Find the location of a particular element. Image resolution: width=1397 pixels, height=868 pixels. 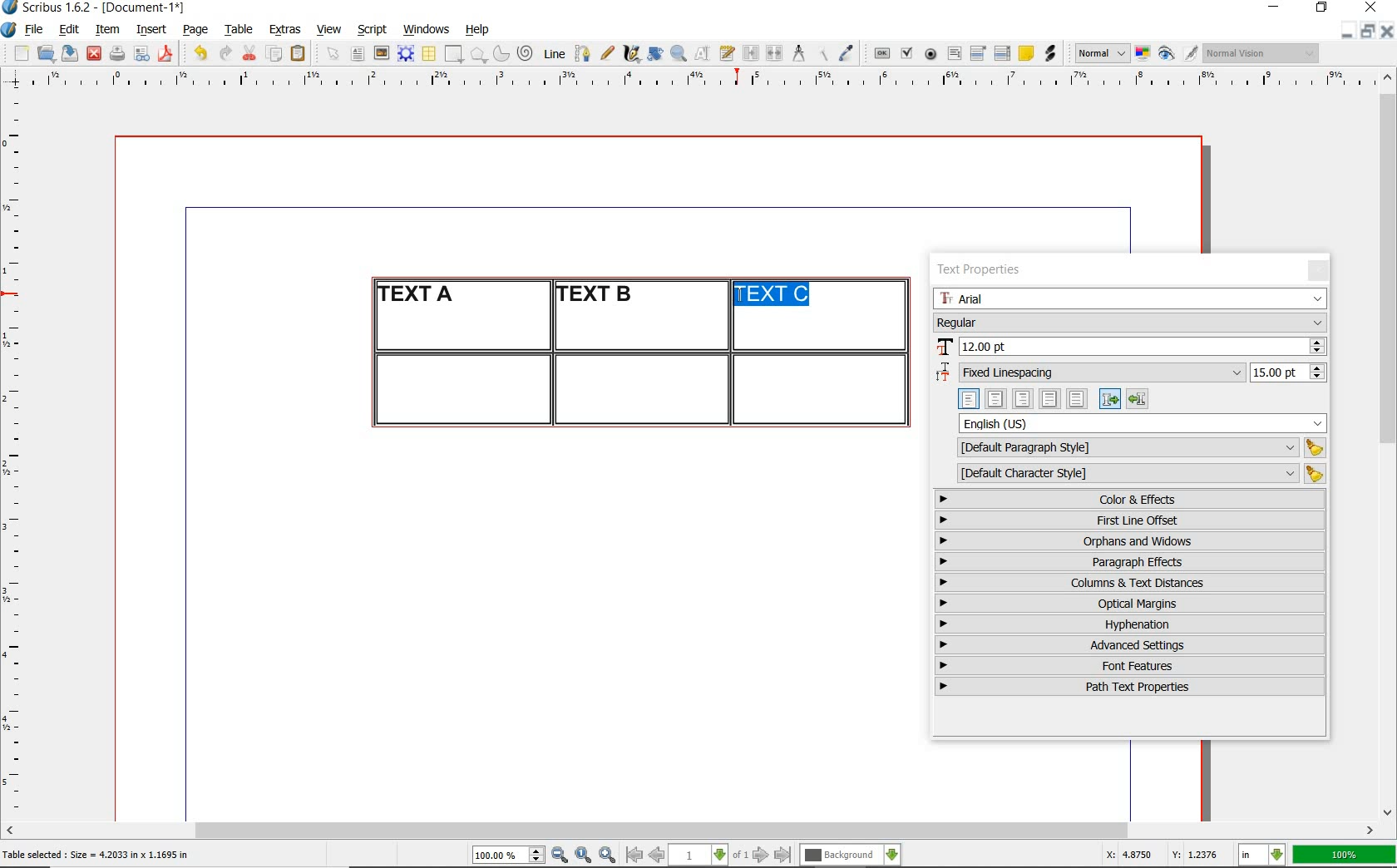

advanced settings is located at coordinates (1128, 644).